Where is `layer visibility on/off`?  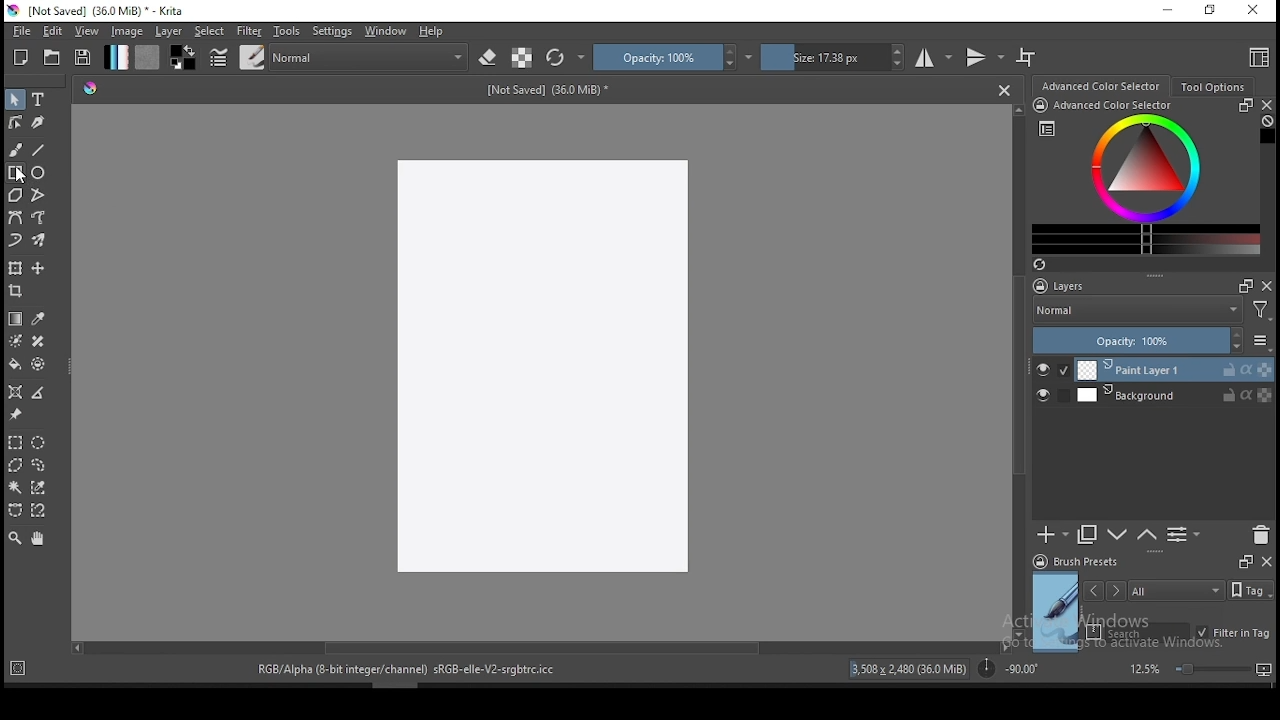
layer visibility on/off is located at coordinates (1053, 370).